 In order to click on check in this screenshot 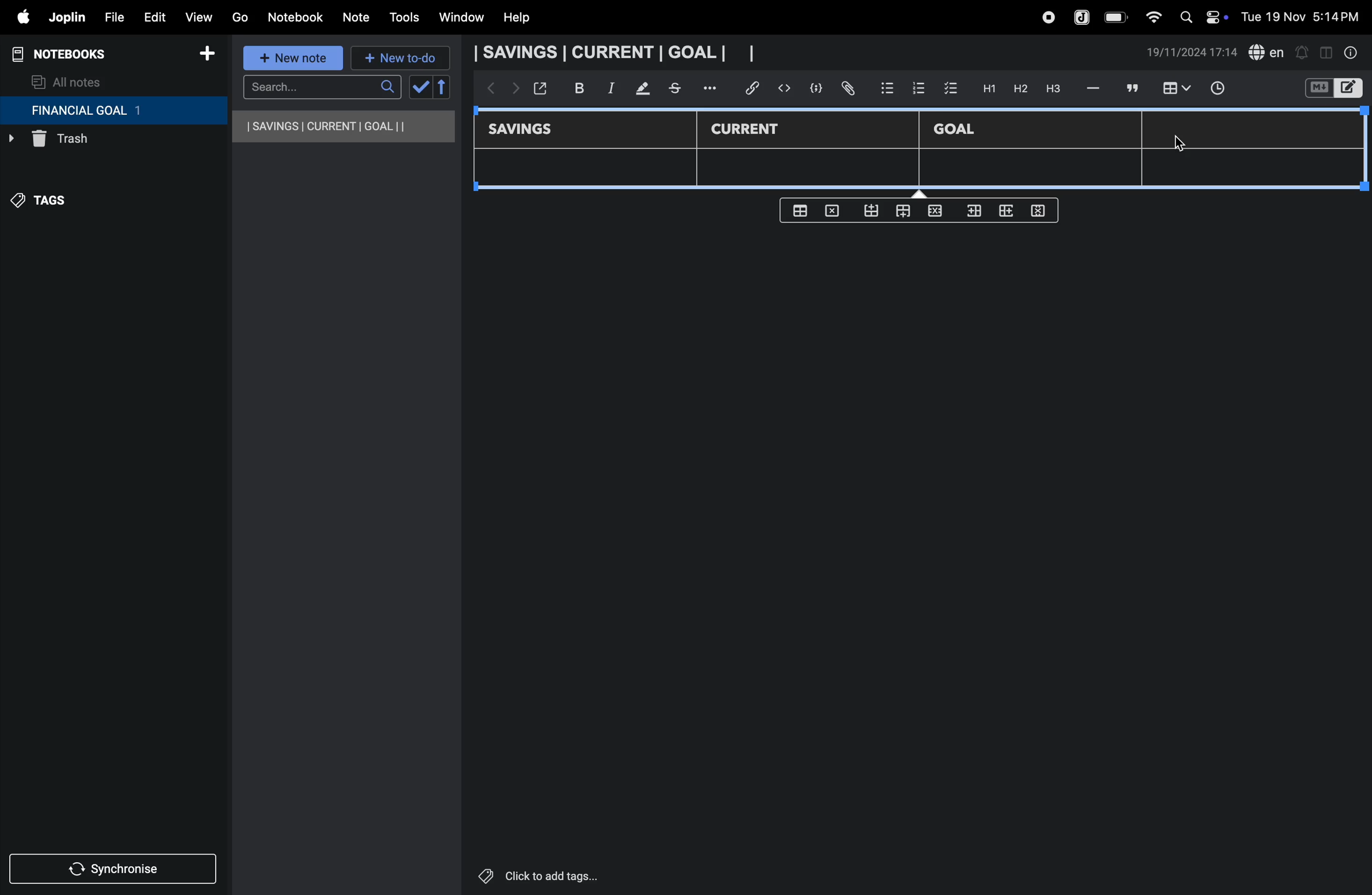, I will do `click(419, 88)`.